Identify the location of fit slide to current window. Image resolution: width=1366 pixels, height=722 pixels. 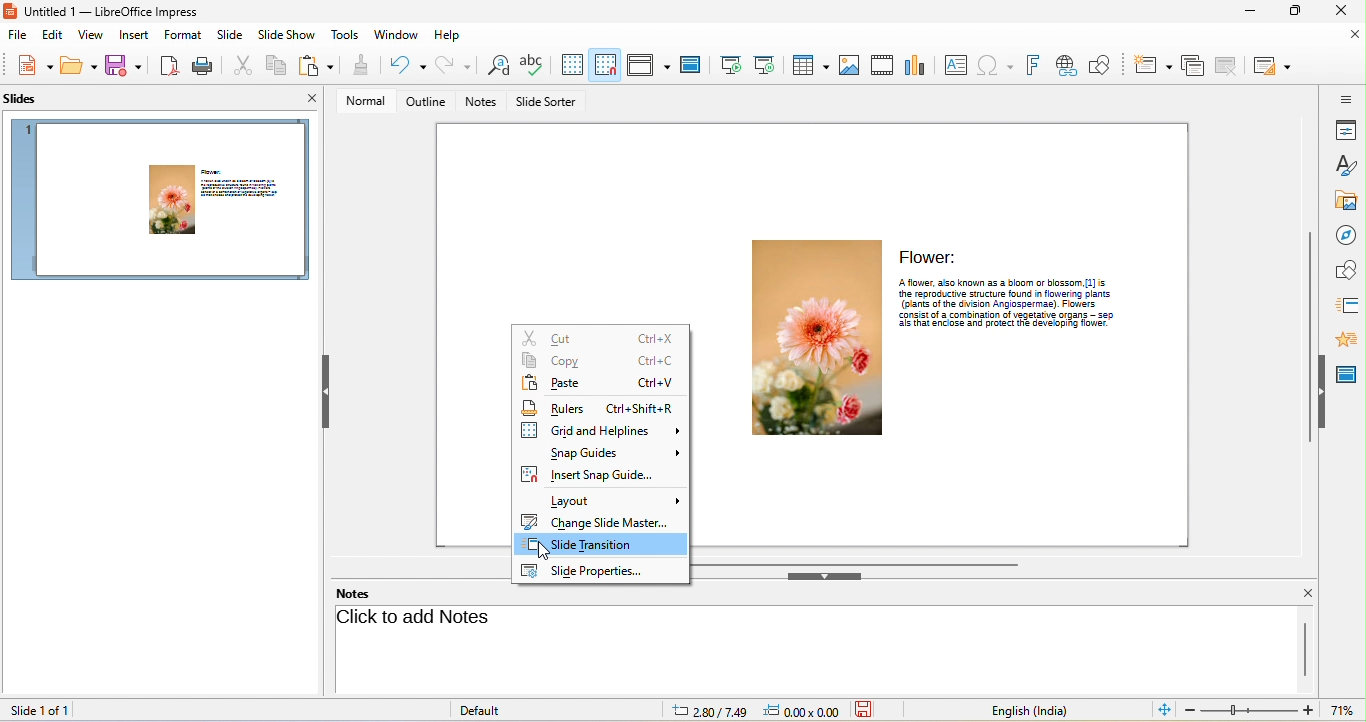
(1162, 710).